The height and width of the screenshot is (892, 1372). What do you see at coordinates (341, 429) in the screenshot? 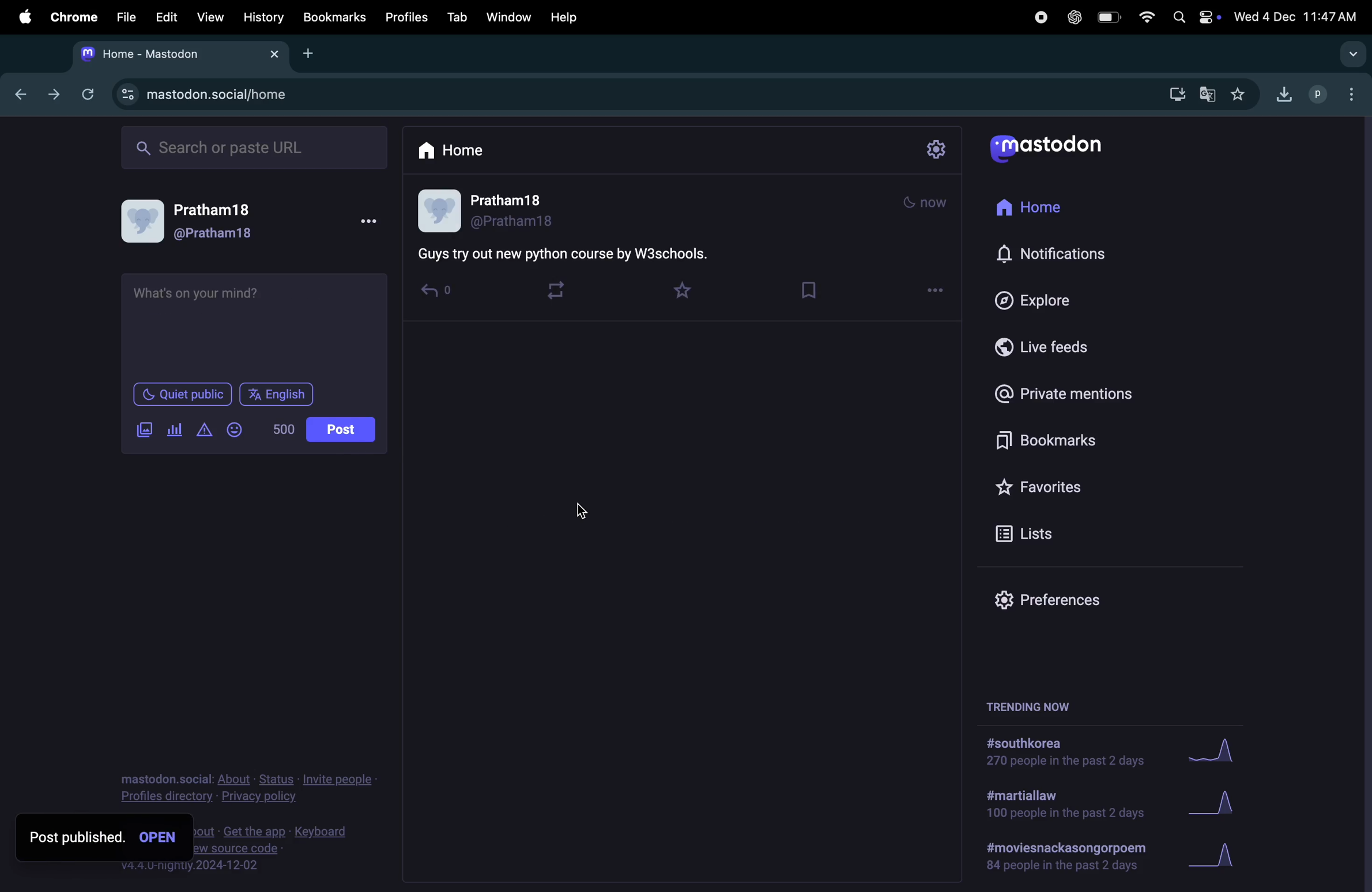
I see `post` at bounding box center [341, 429].